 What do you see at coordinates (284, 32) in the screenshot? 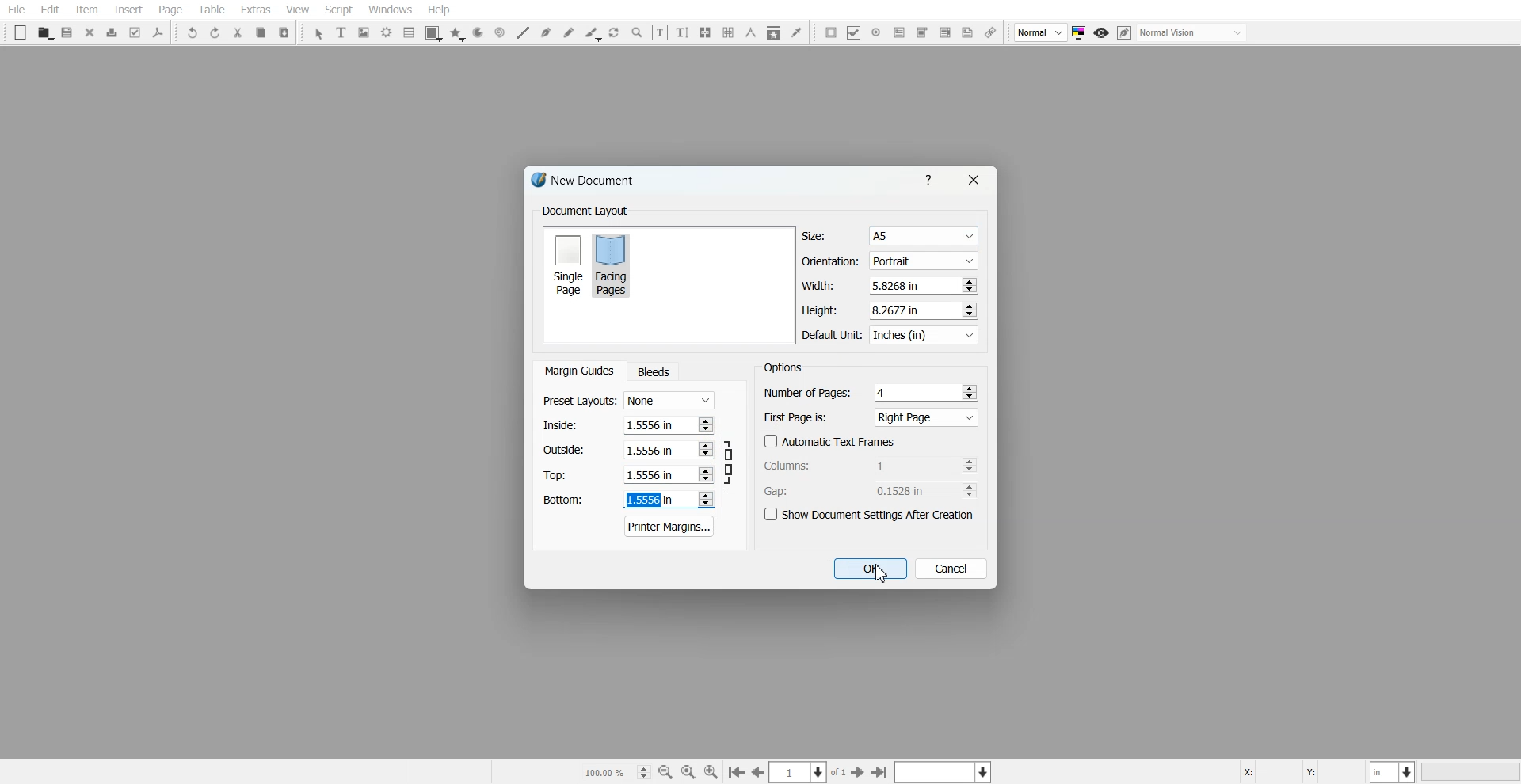
I see `Paste` at bounding box center [284, 32].